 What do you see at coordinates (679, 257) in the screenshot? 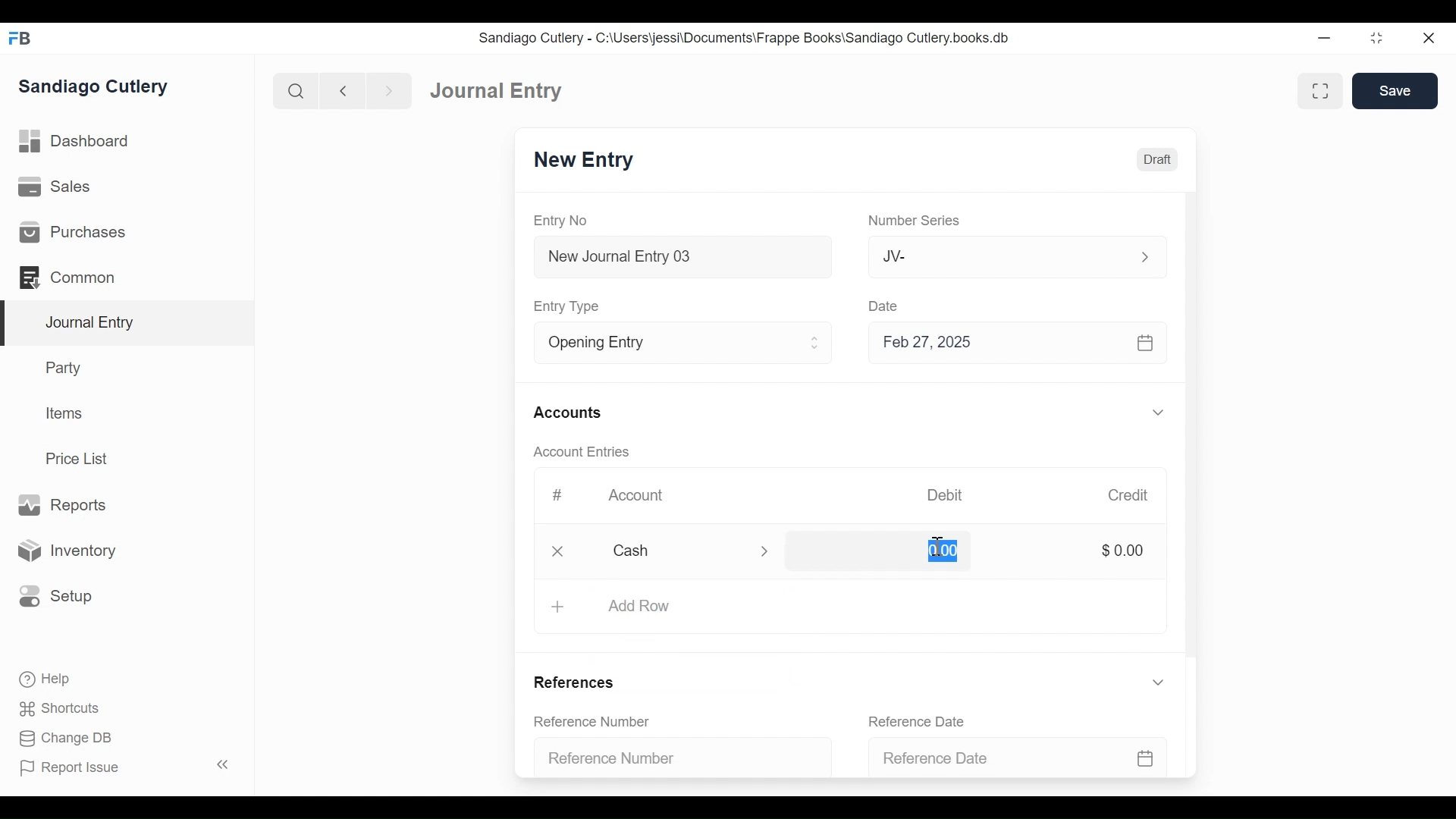
I see `New Journal Entry 03` at bounding box center [679, 257].